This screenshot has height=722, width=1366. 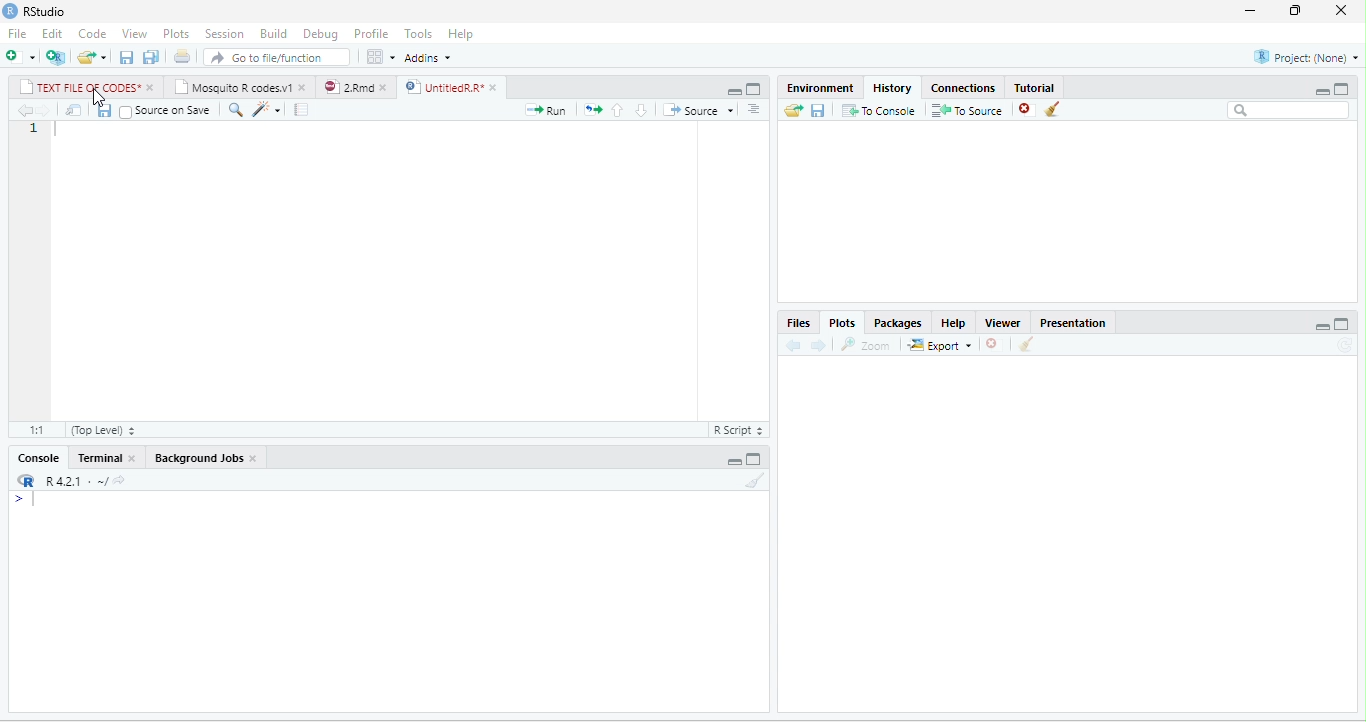 I want to click on Background Jobs, so click(x=197, y=457).